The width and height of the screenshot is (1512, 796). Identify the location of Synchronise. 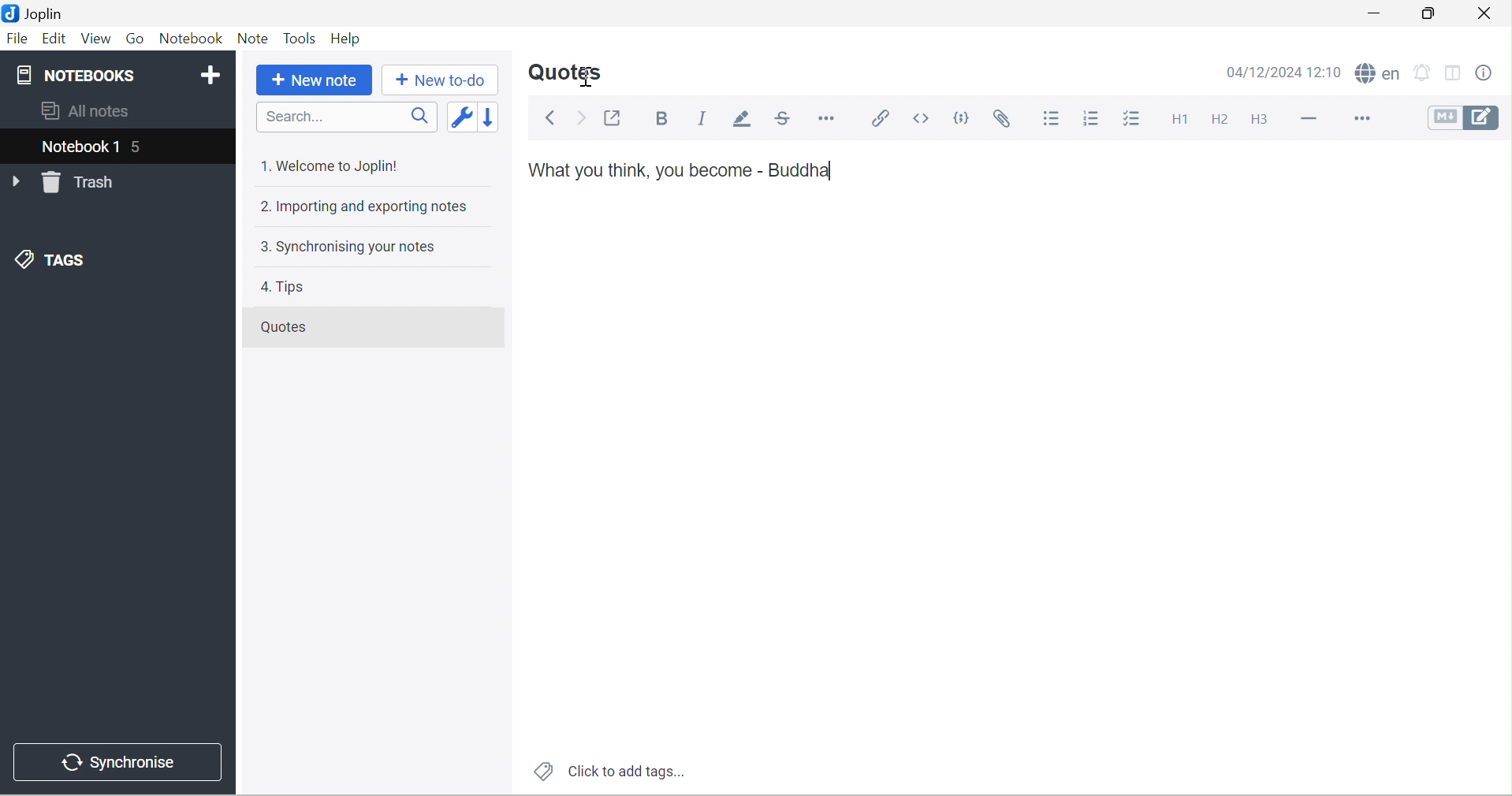
(122, 764).